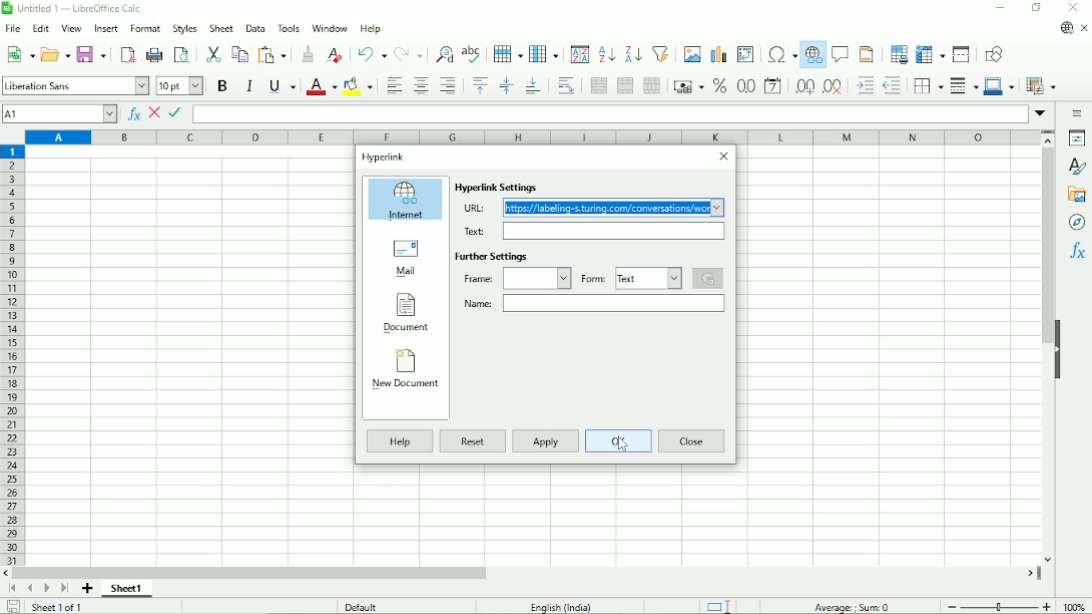 The width and height of the screenshot is (1092, 614). I want to click on Close, so click(693, 440).